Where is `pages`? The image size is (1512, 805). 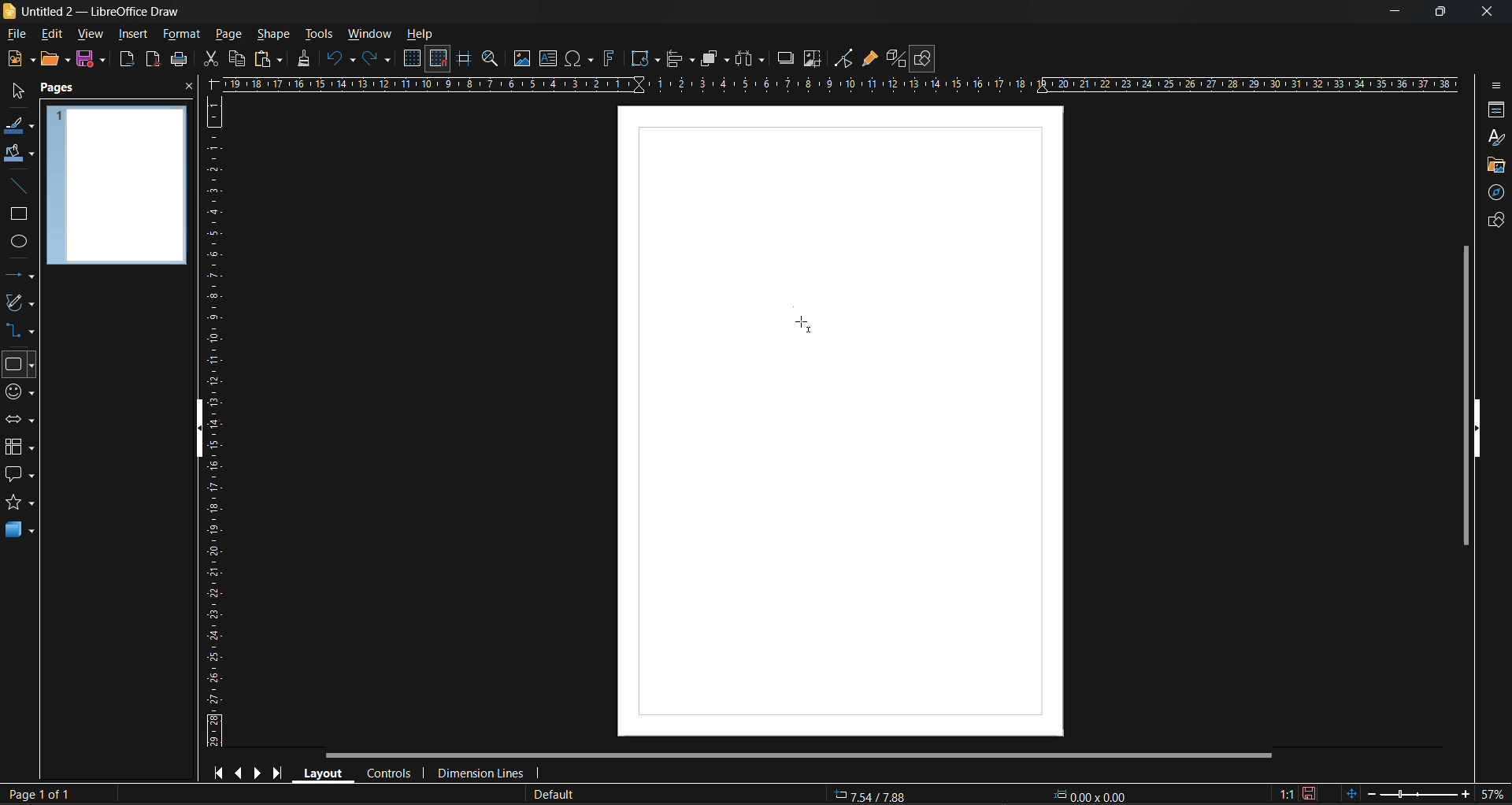
pages is located at coordinates (60, 89).